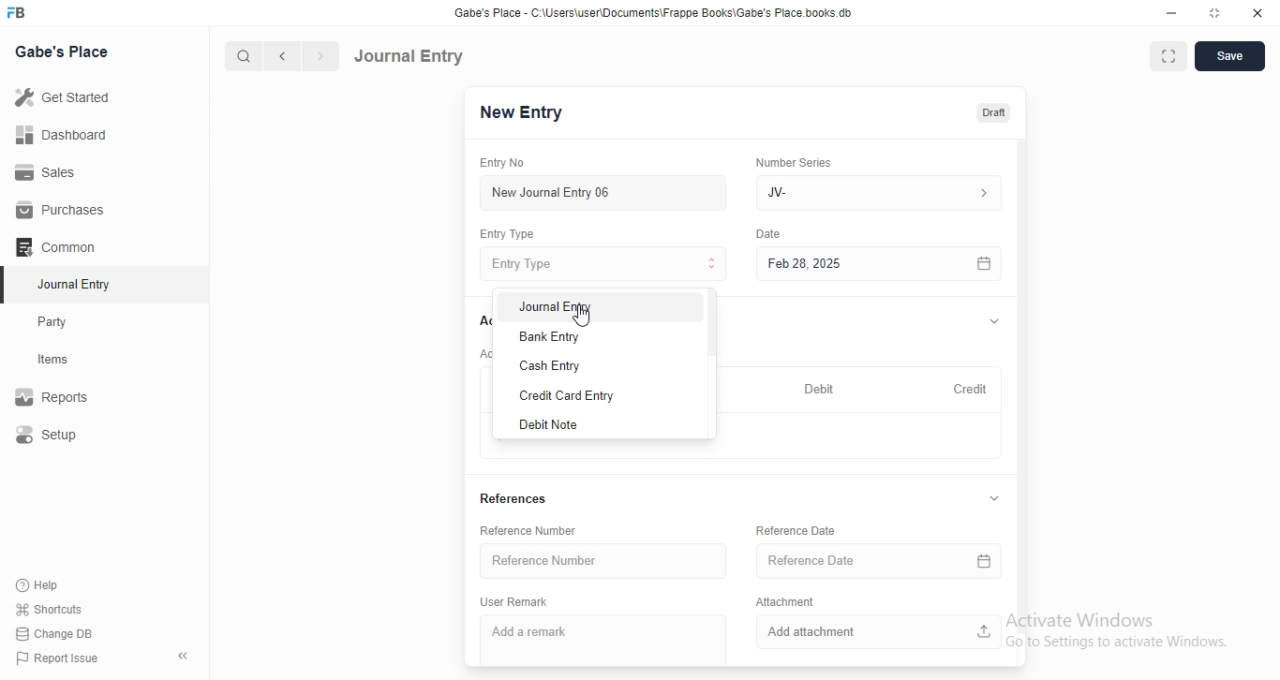  What do you see at coordinates (521, 601) in the screenshot?
I see `User Remark` at bounding box center [521, 601].